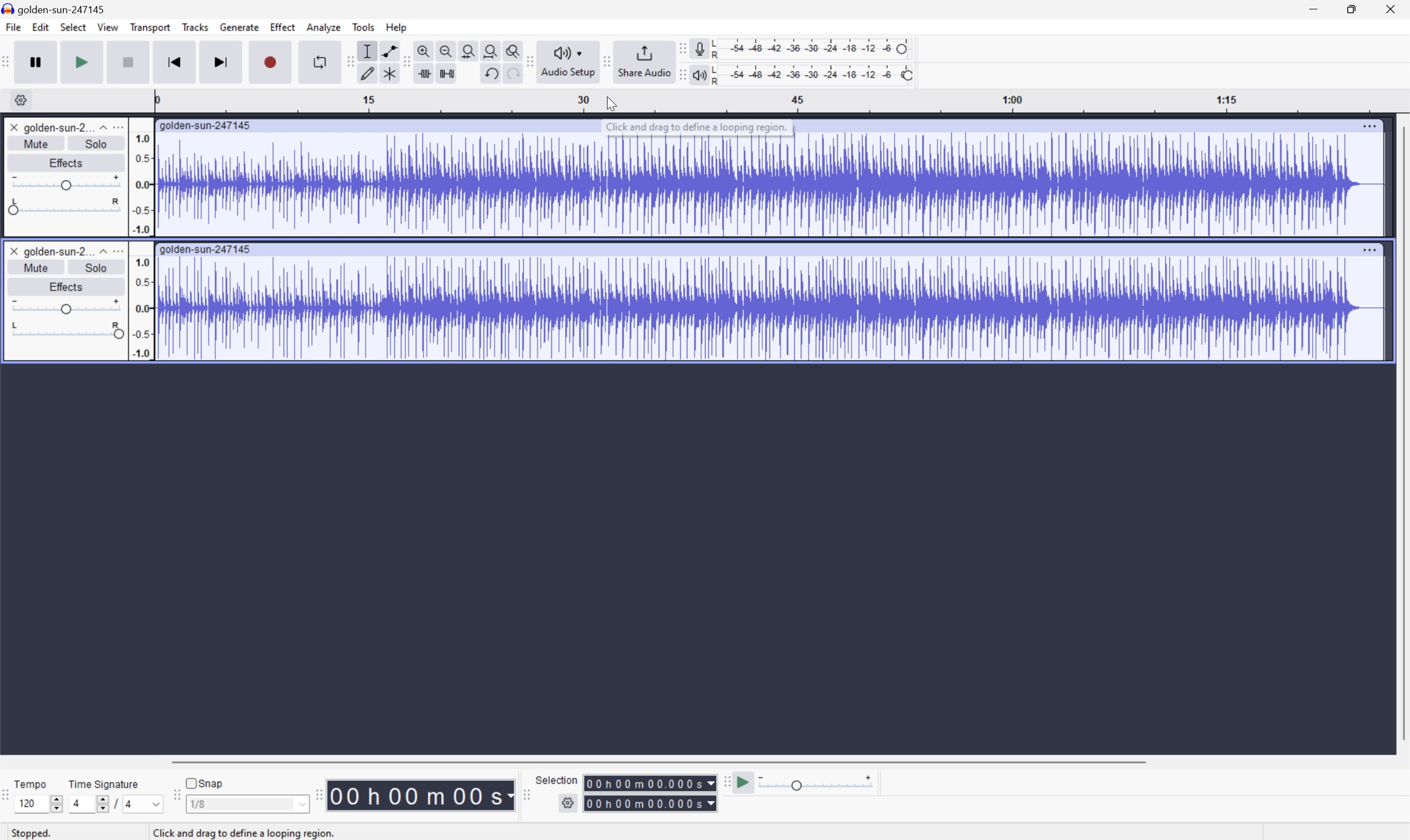  What do you see at coordinates (1370, 126) in the screenshot?
I see `More` at bounding box center [1370, 126].